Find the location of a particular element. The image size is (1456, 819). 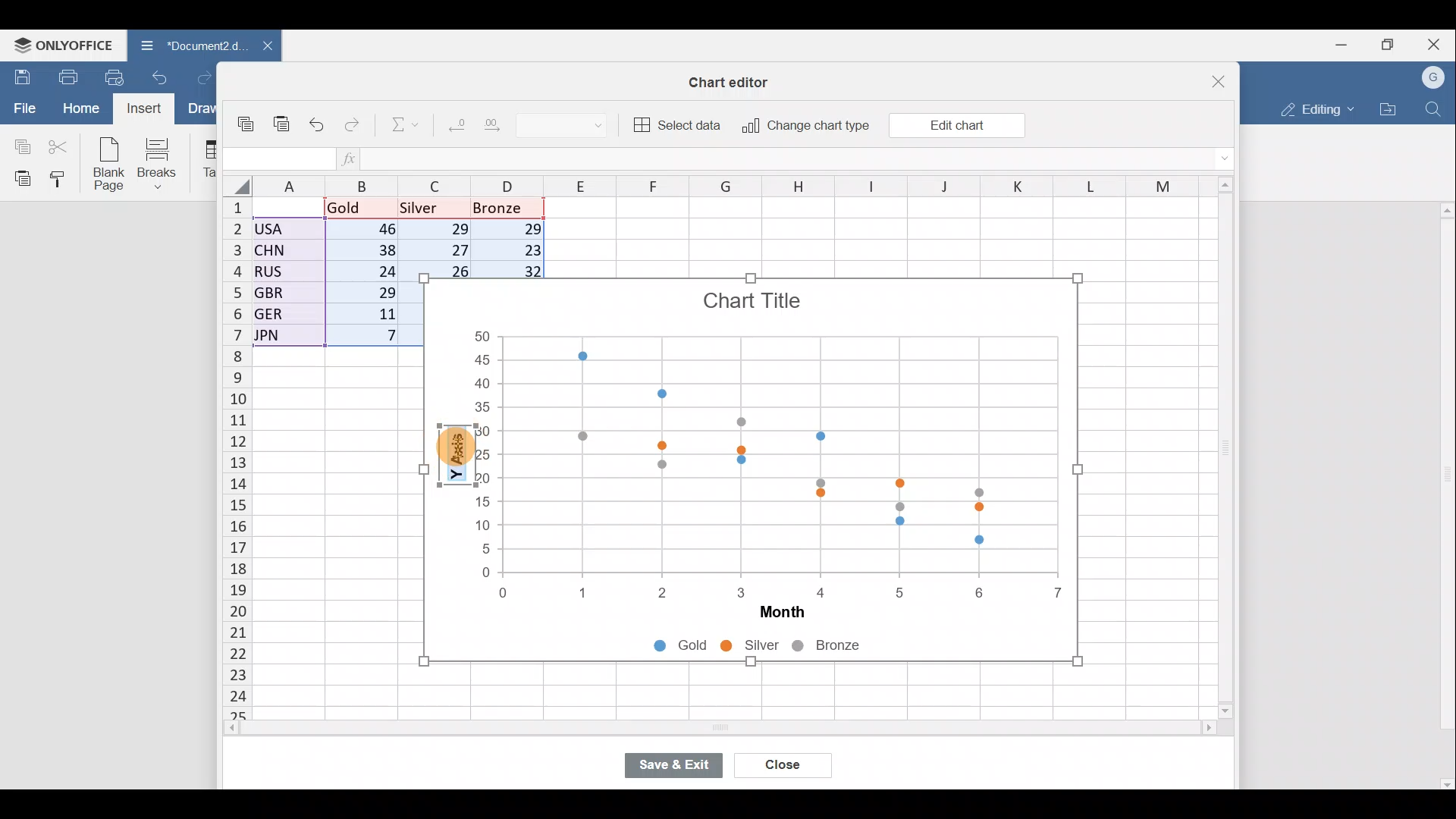

Redo is located at coordinates (202, 75).